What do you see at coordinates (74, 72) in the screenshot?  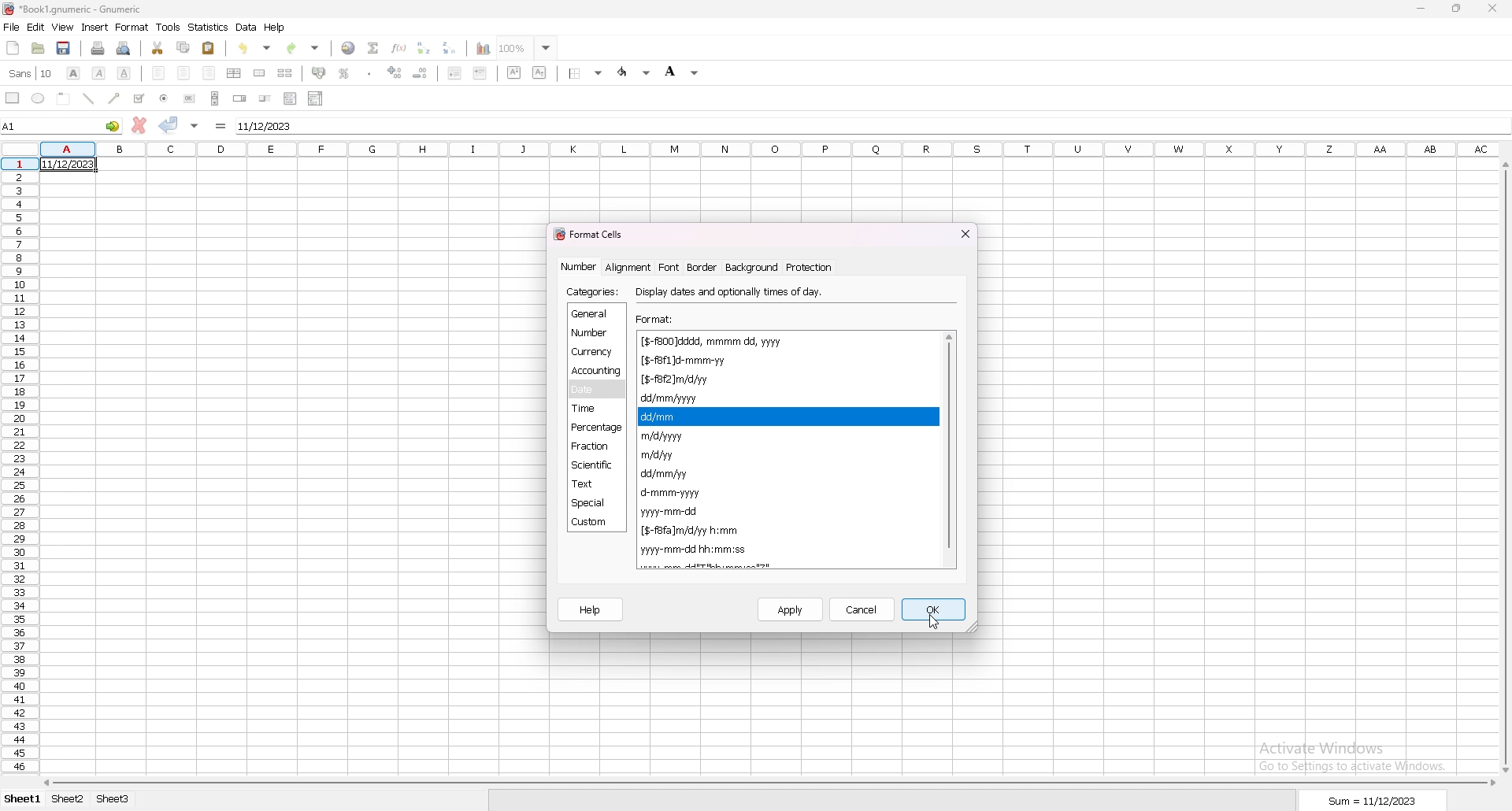 I see `bold` at bounding box center [74, 72].